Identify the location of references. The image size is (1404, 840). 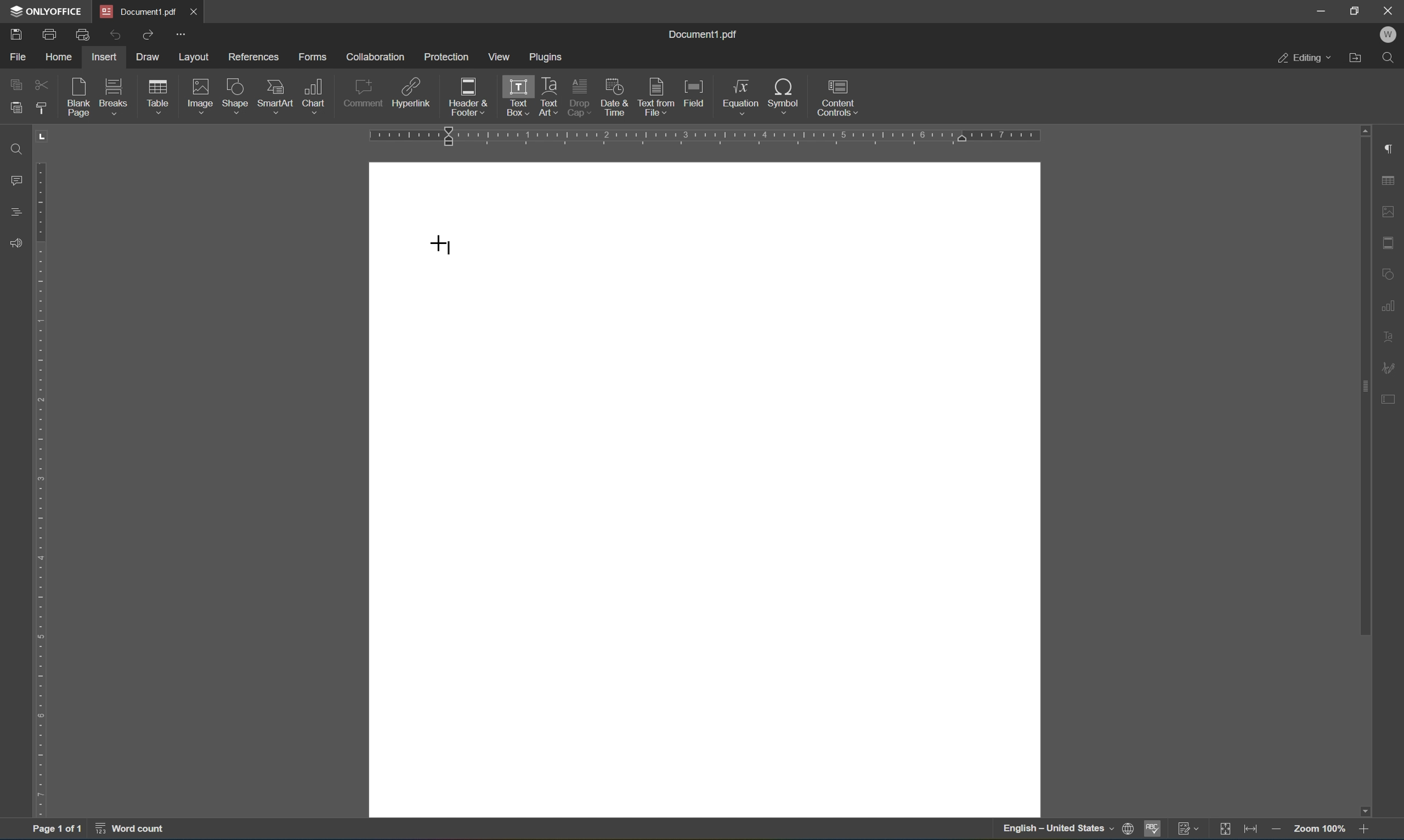
(254, 58).